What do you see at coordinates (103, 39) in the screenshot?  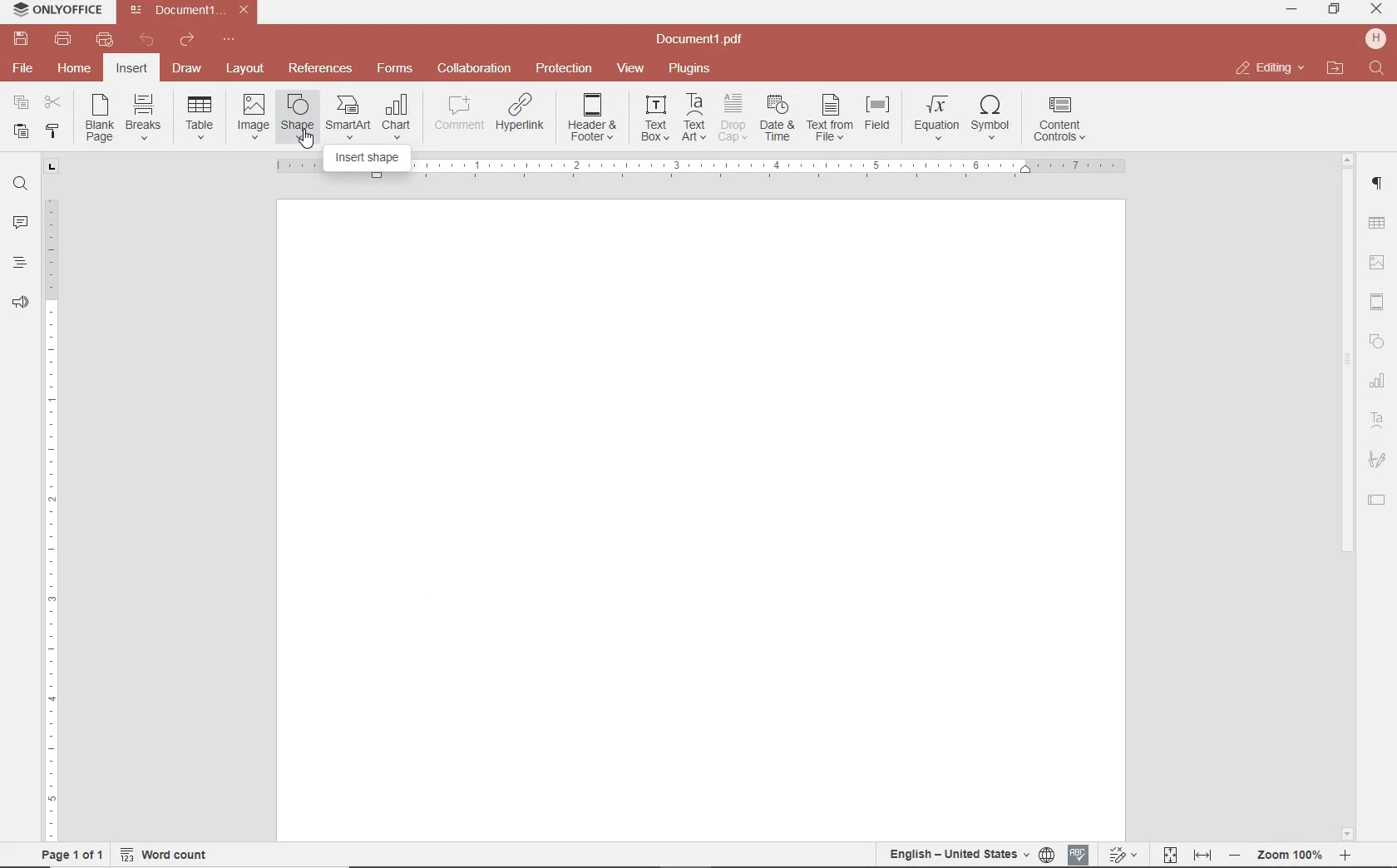 I see `quick print` at bounding box center [103, 39].